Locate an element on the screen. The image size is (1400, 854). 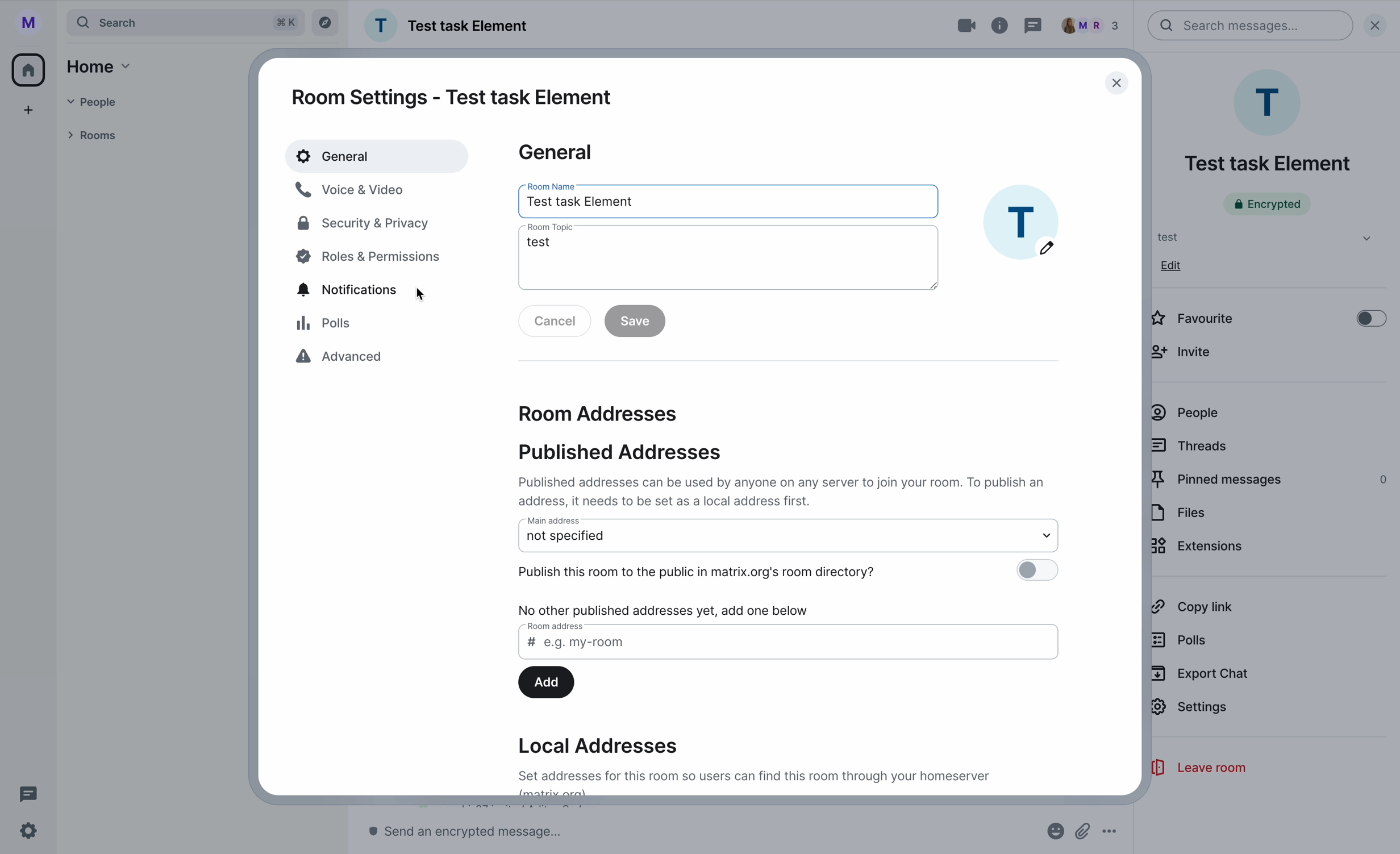
room settings - test task element  is located at coordinates (452, 97).